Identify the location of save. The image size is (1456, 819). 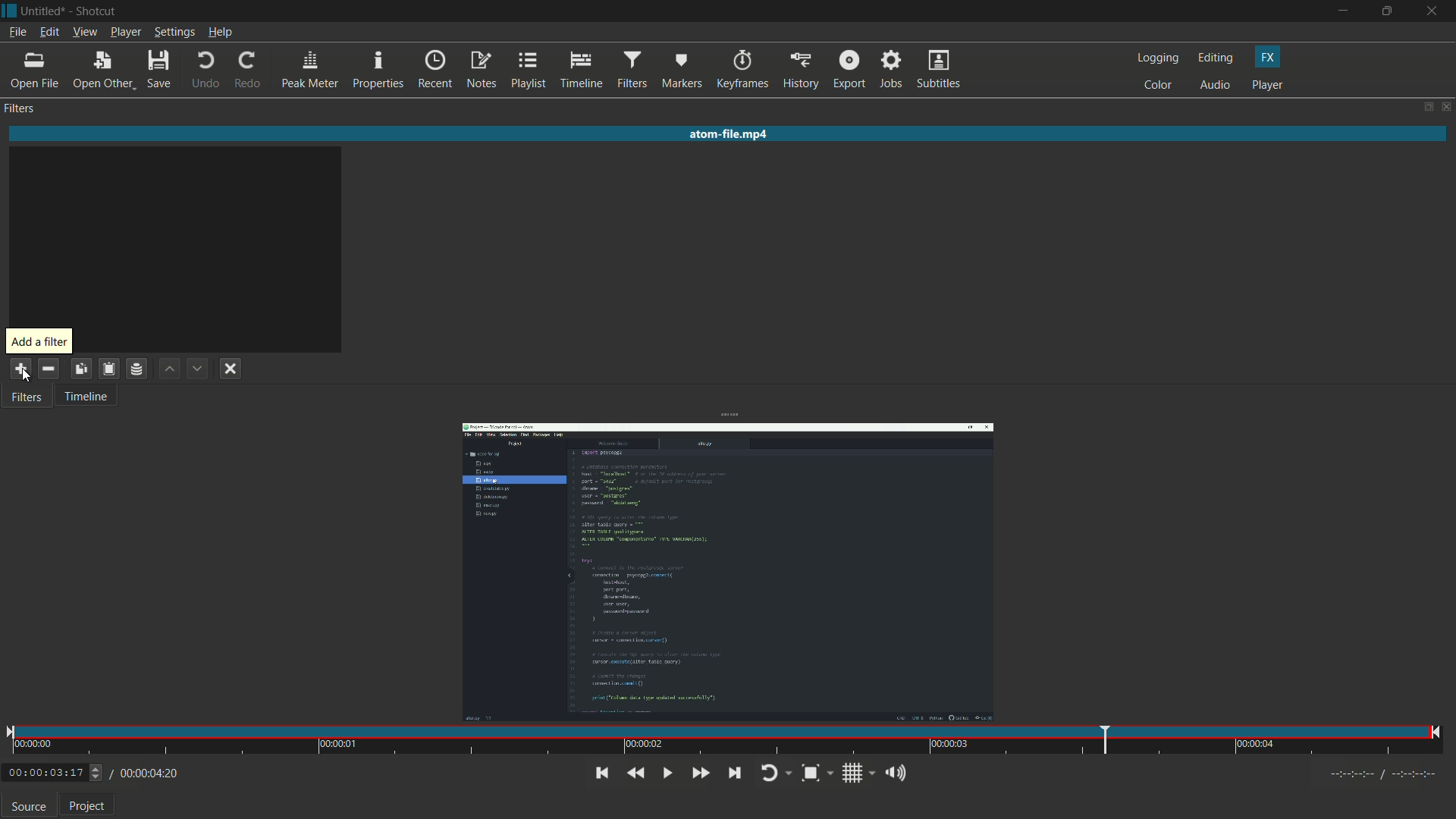
(158, 67).